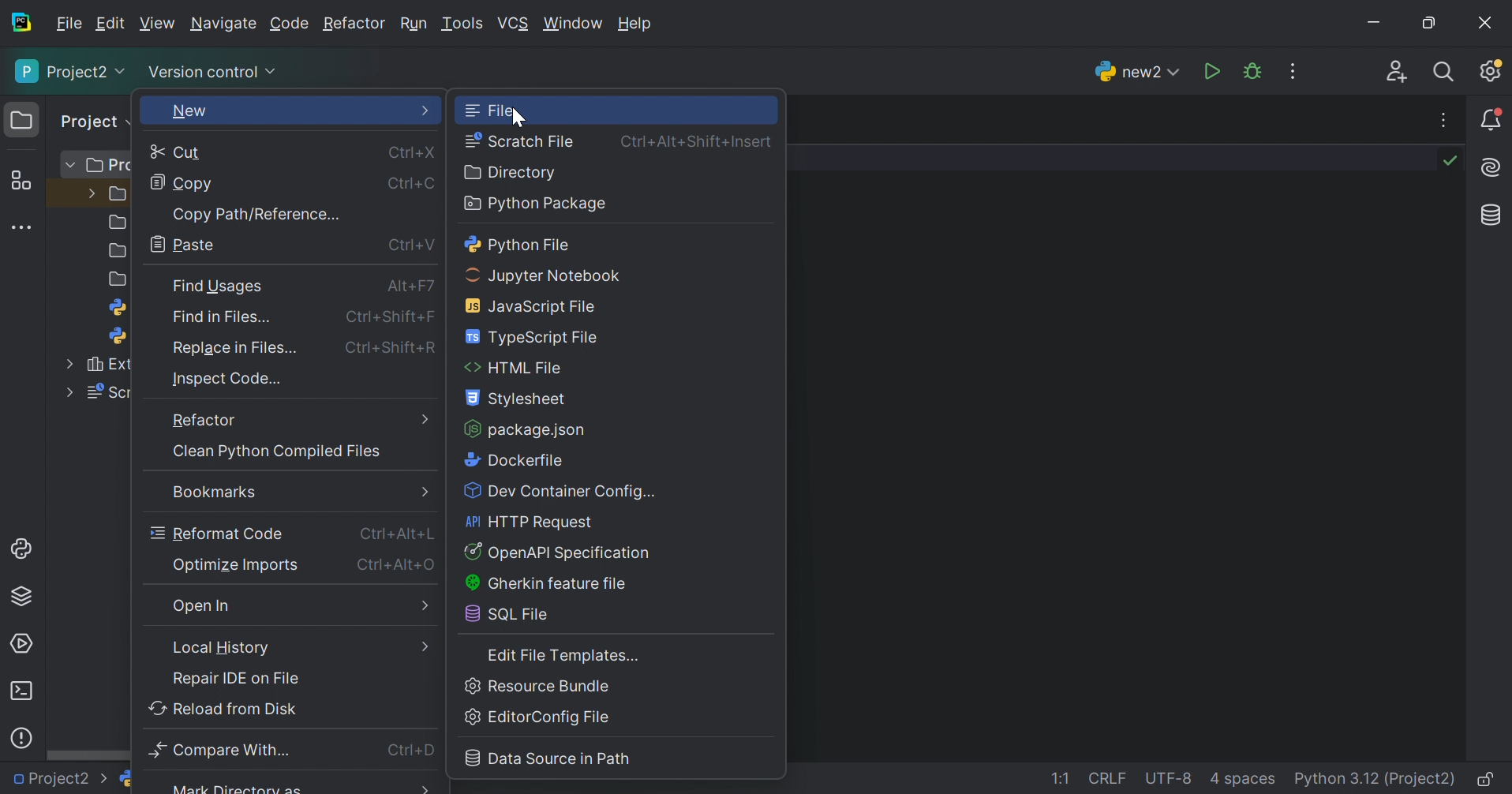 The image size is (1512, 794). I want to click on HTTP request, so click(532, 522).